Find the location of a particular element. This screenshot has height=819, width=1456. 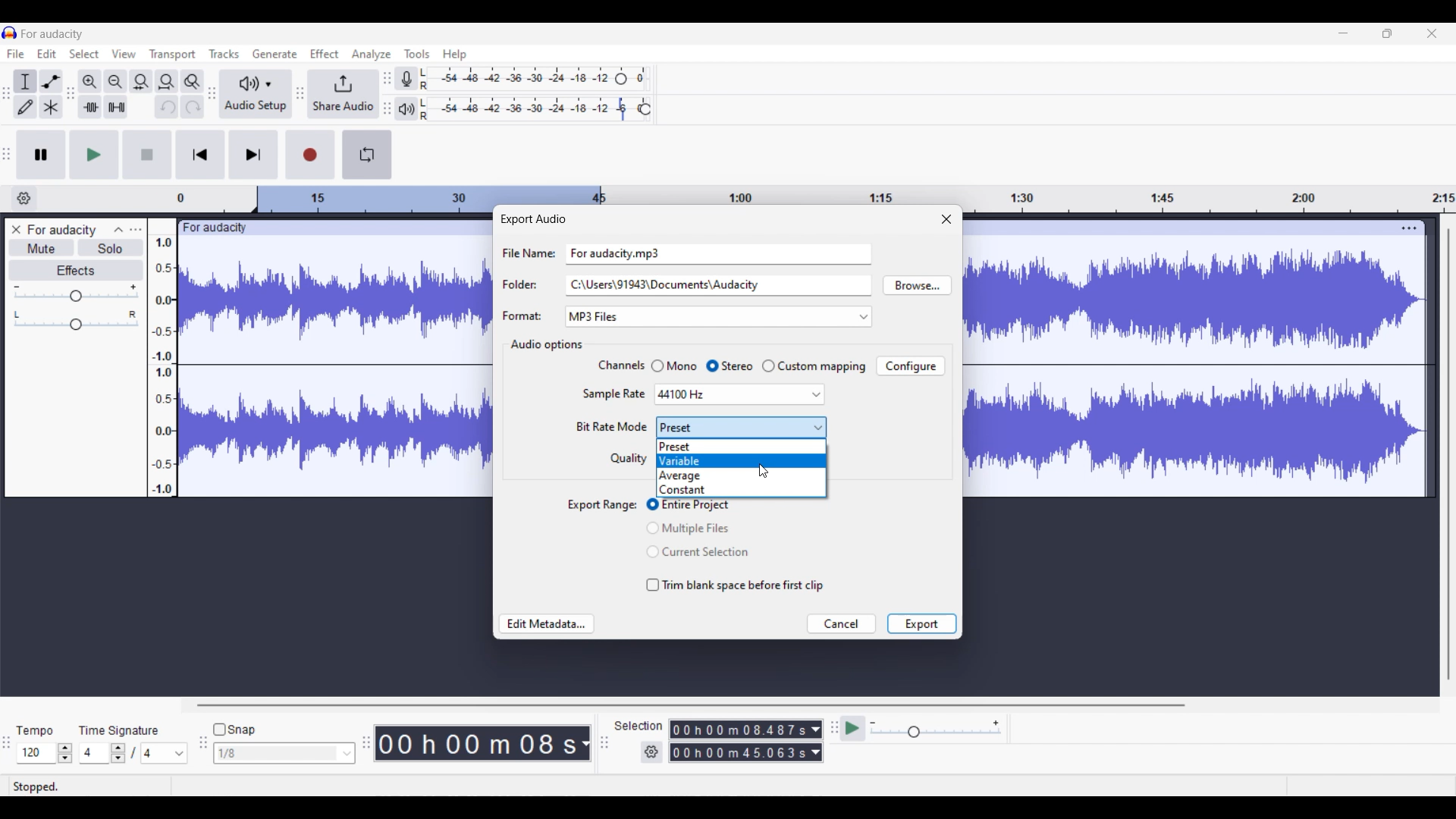

Tempo options is located at coordinates (35, 753).